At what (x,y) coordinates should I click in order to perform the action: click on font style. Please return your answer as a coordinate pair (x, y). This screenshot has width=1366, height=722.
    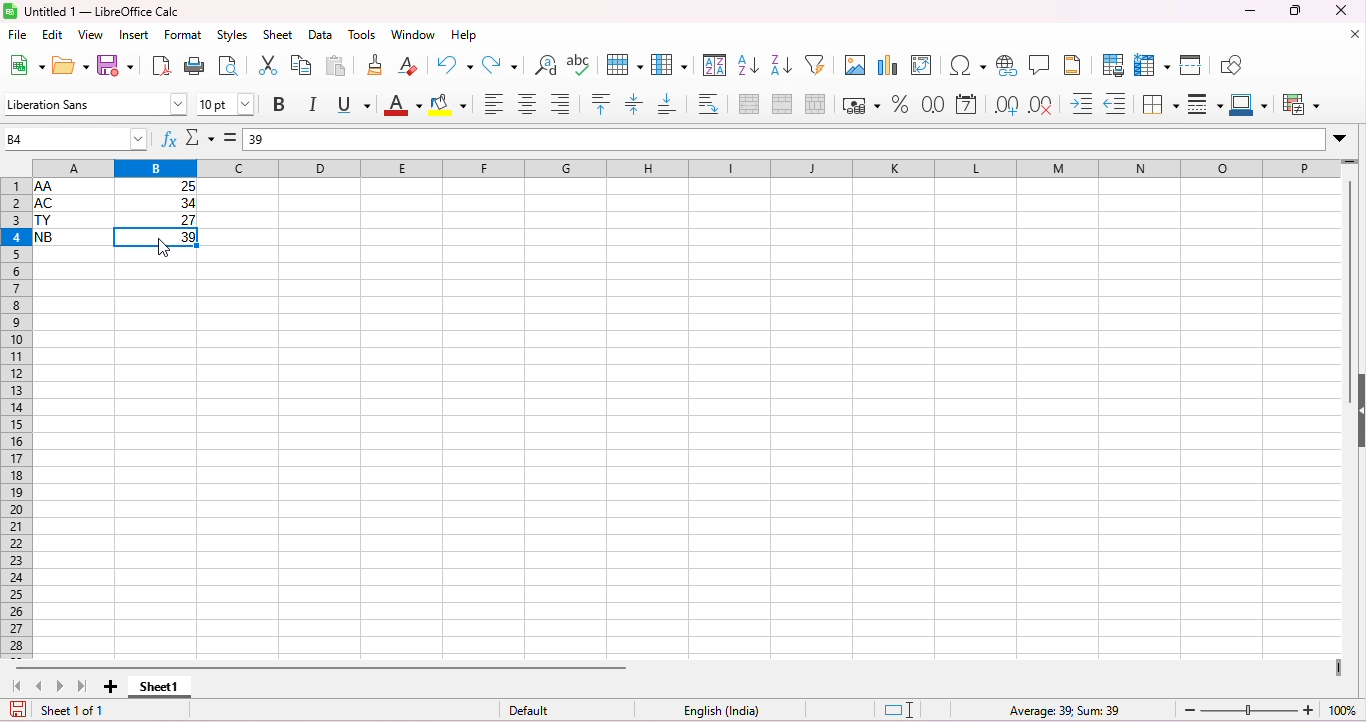
    Looking at the image, I should click on (94, 103).